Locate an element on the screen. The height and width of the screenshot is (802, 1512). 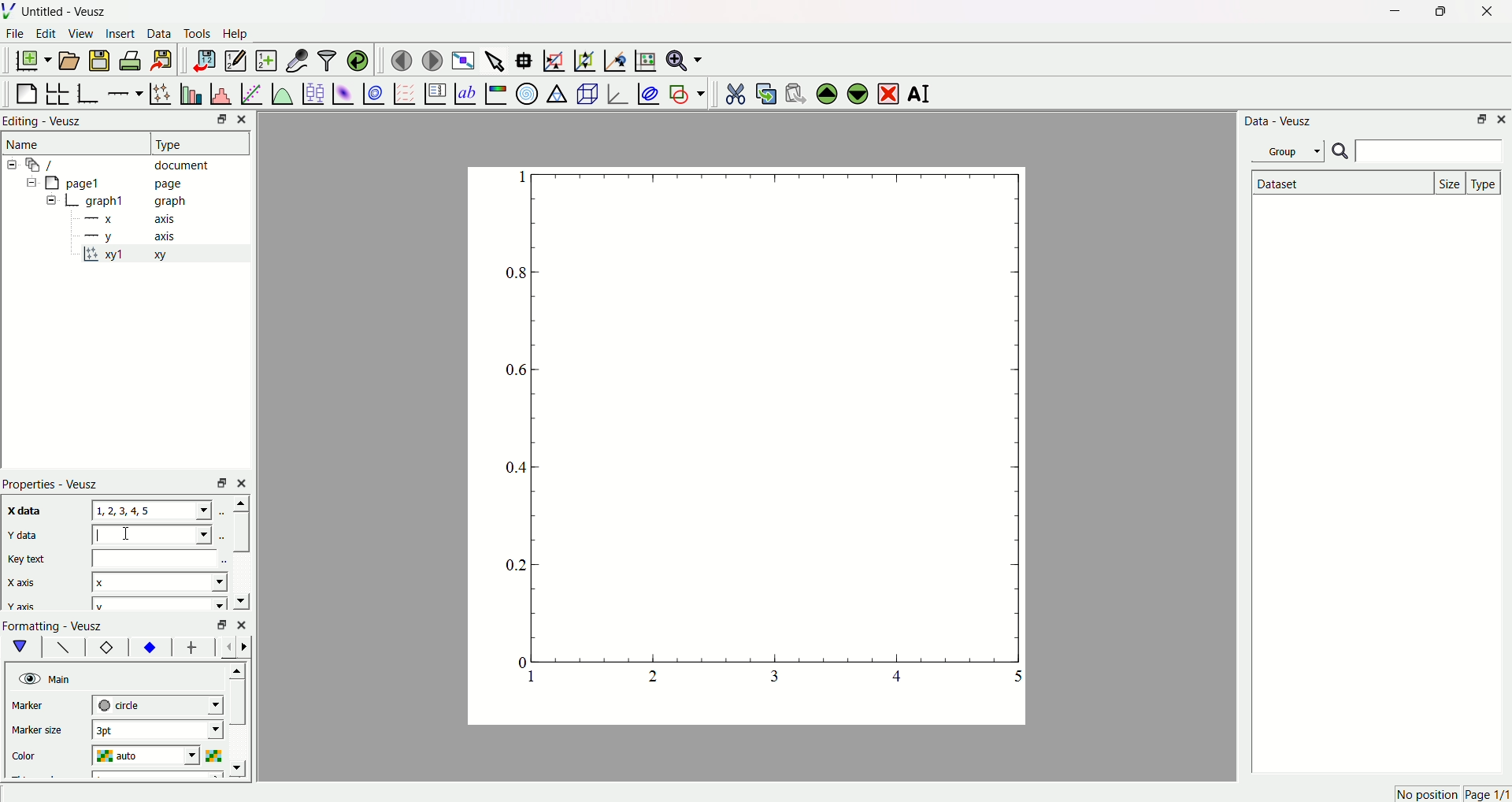
page is located at coordinates (736, 450).